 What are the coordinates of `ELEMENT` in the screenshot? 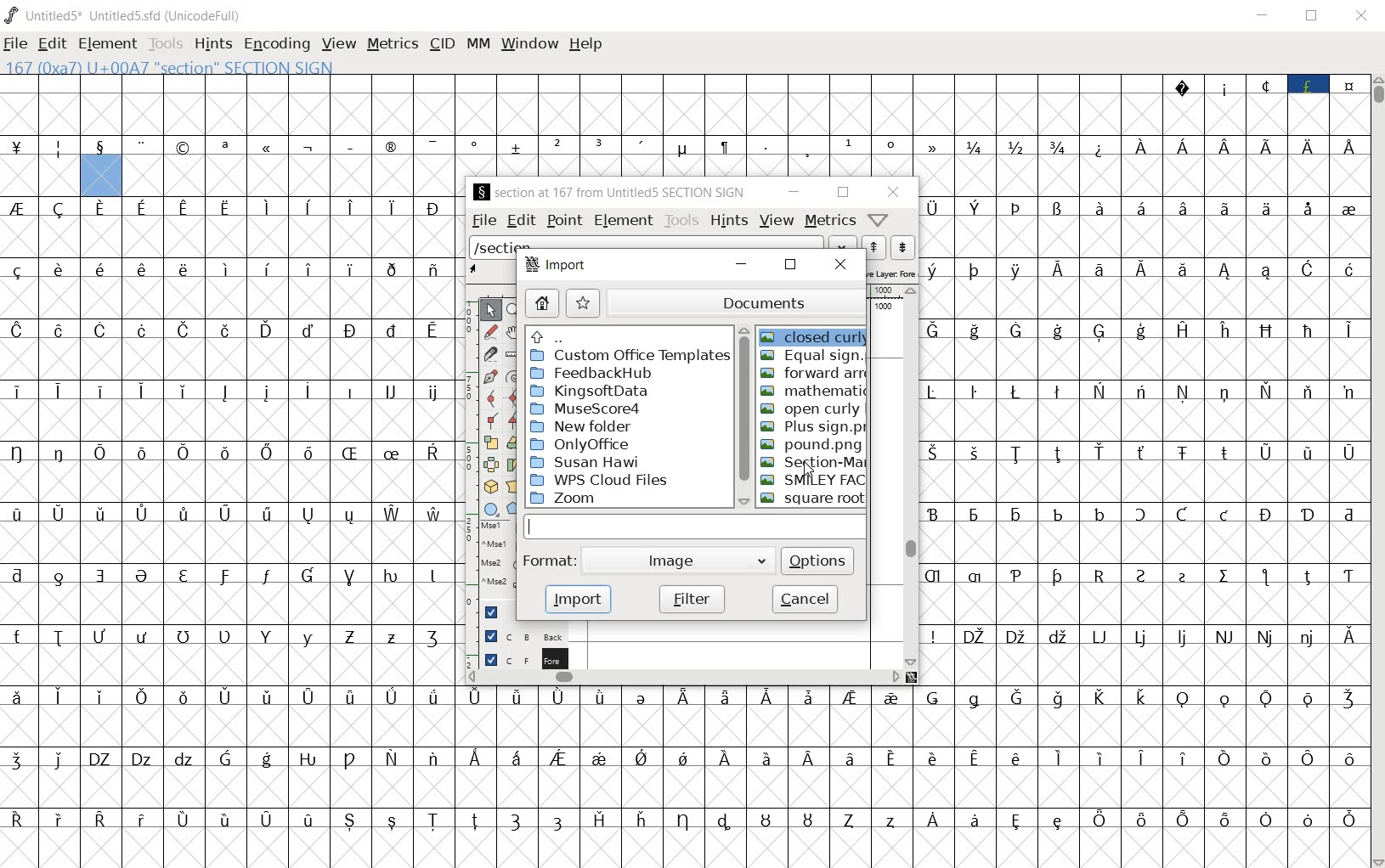 It's located at (108, 44).